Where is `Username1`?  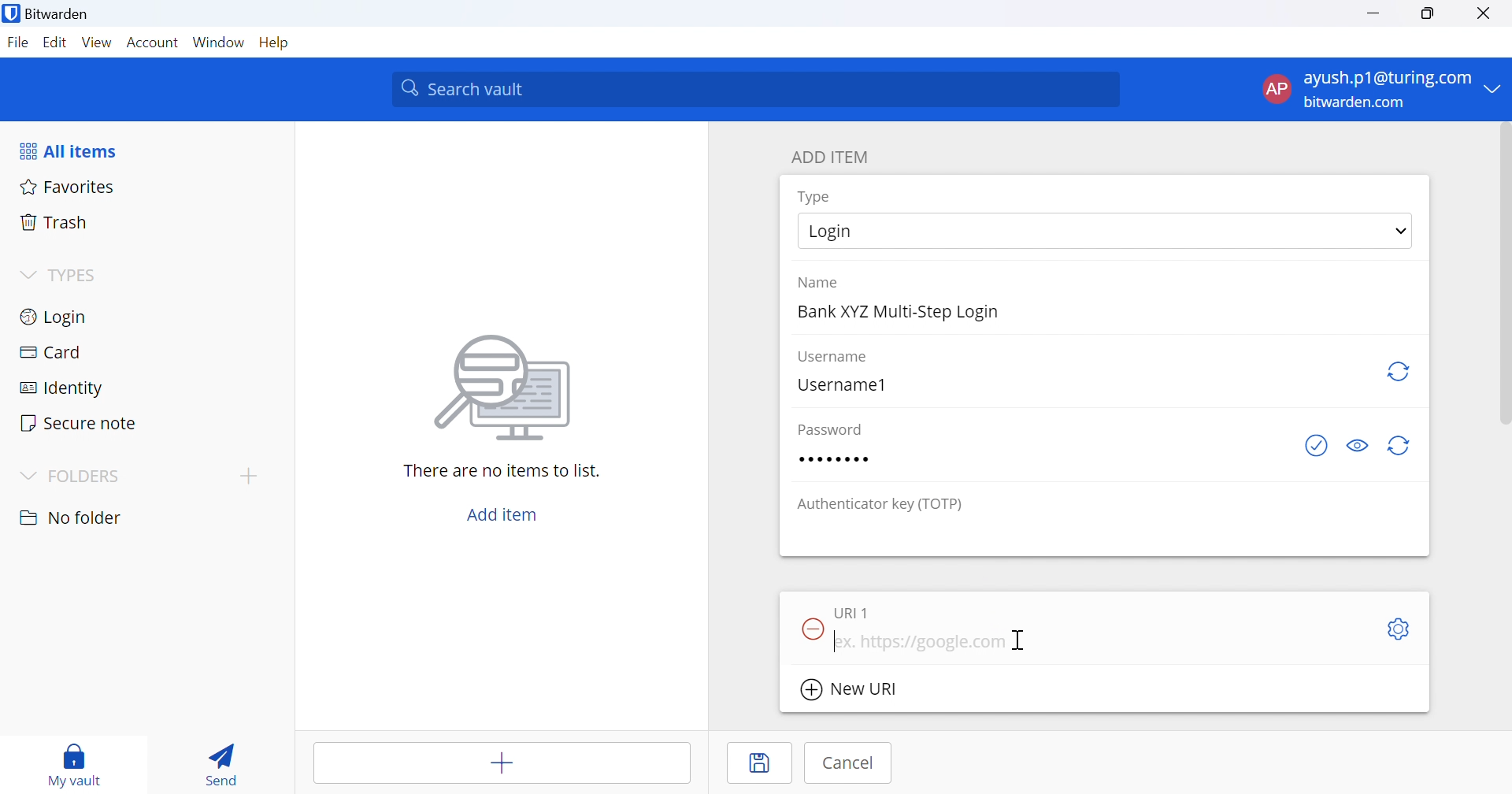 Username1 is located at coordinates (850, 386).